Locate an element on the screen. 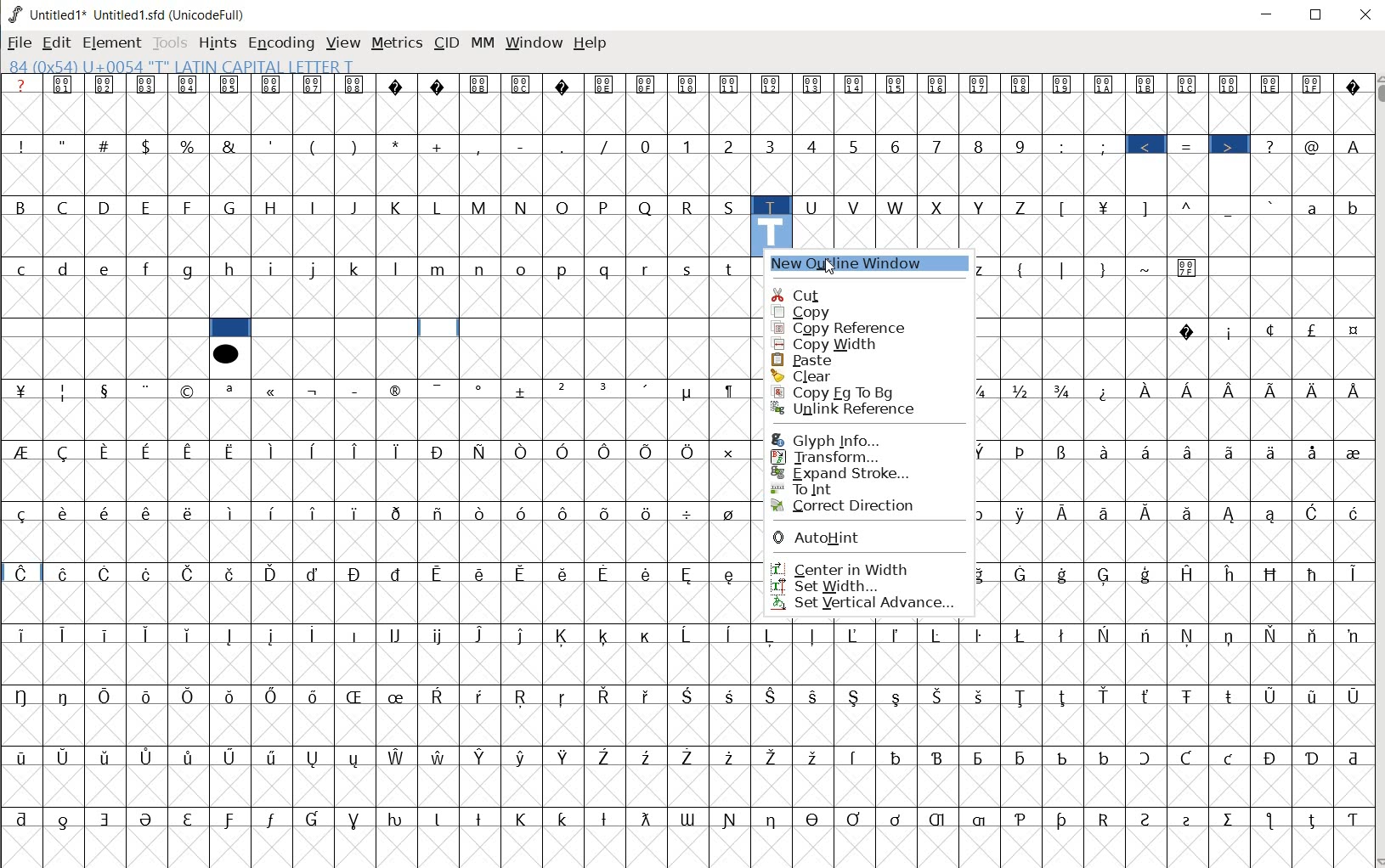  Symbol is located at coordinates (482, 85).